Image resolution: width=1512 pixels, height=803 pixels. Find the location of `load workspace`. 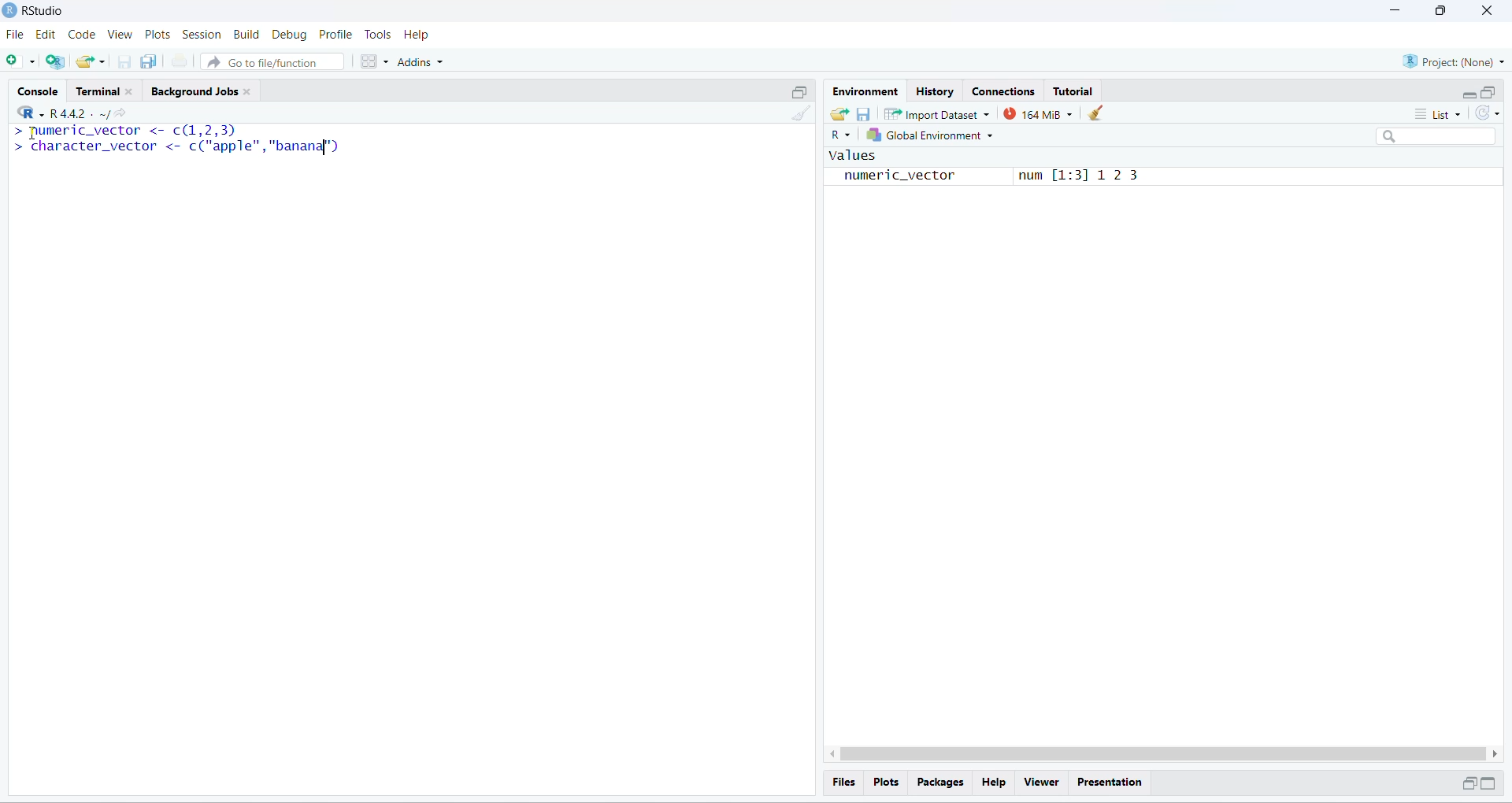

load workspace is located at coordinates (838, 113).